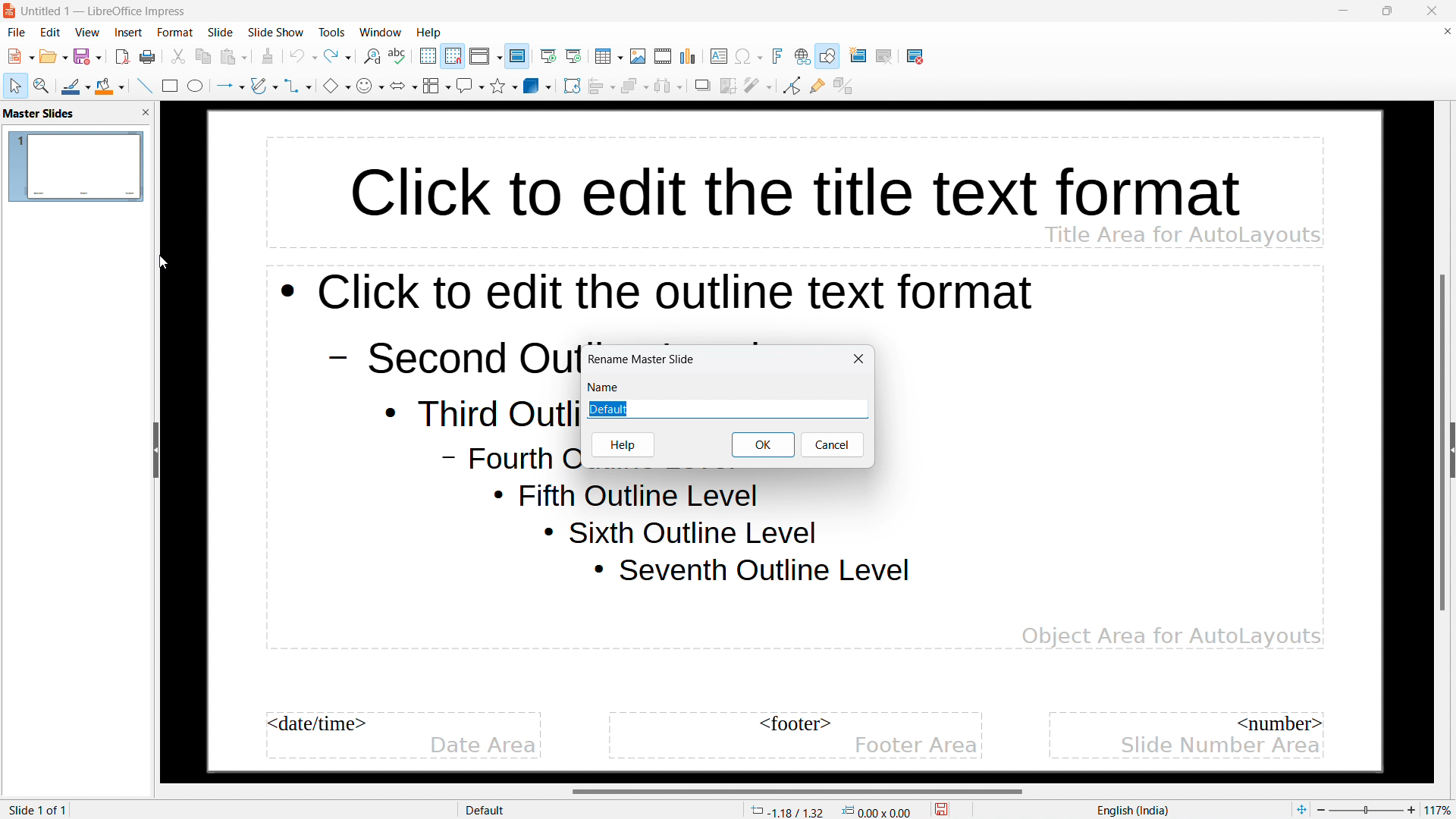 This screenshot has height=819, width=1456. Describe the element at coordinates (1301, 809) in the screenshot. I see `fit to page` at that location.